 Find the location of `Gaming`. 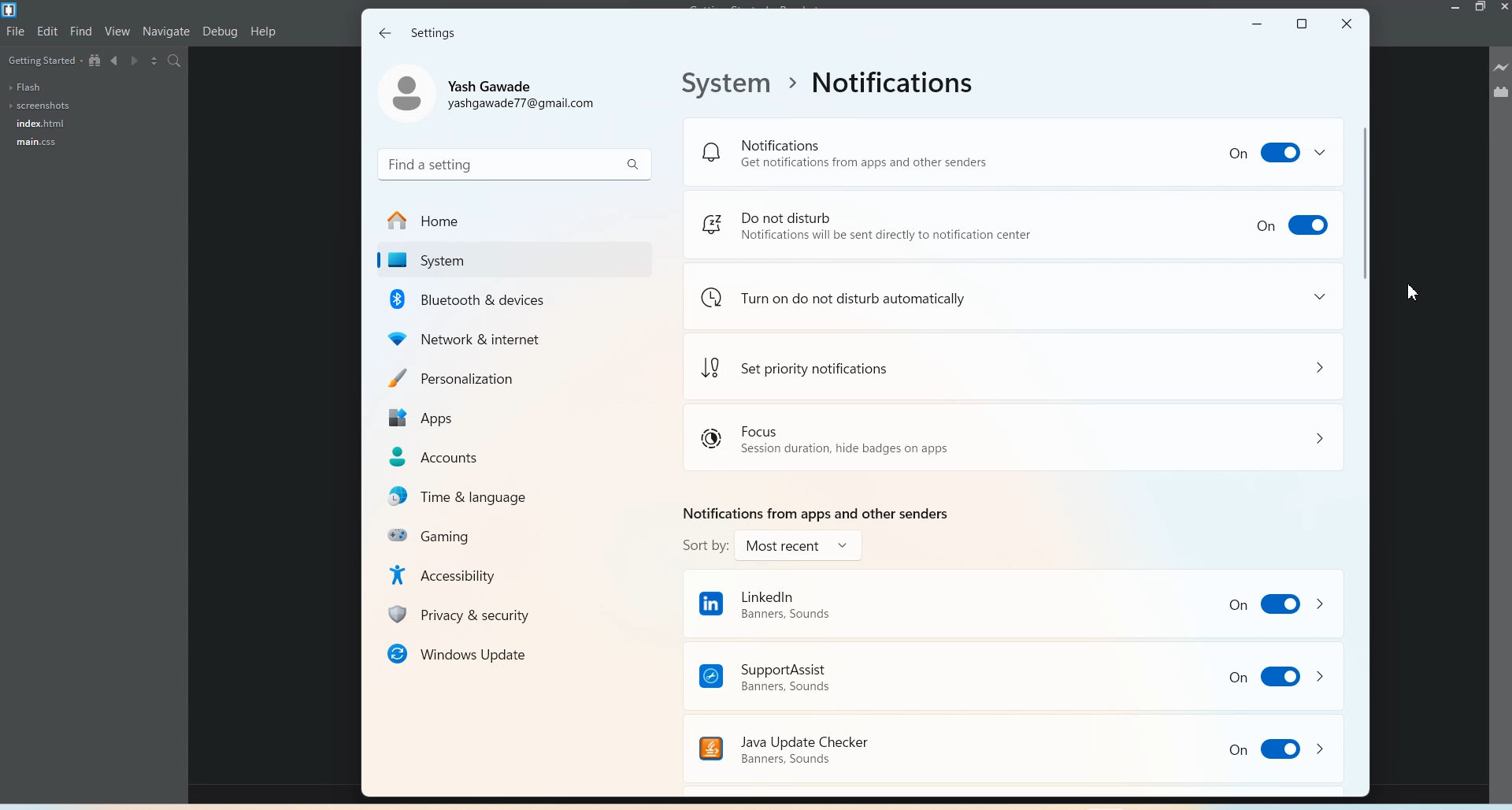

Gaming is located at coordinates (510, 535).